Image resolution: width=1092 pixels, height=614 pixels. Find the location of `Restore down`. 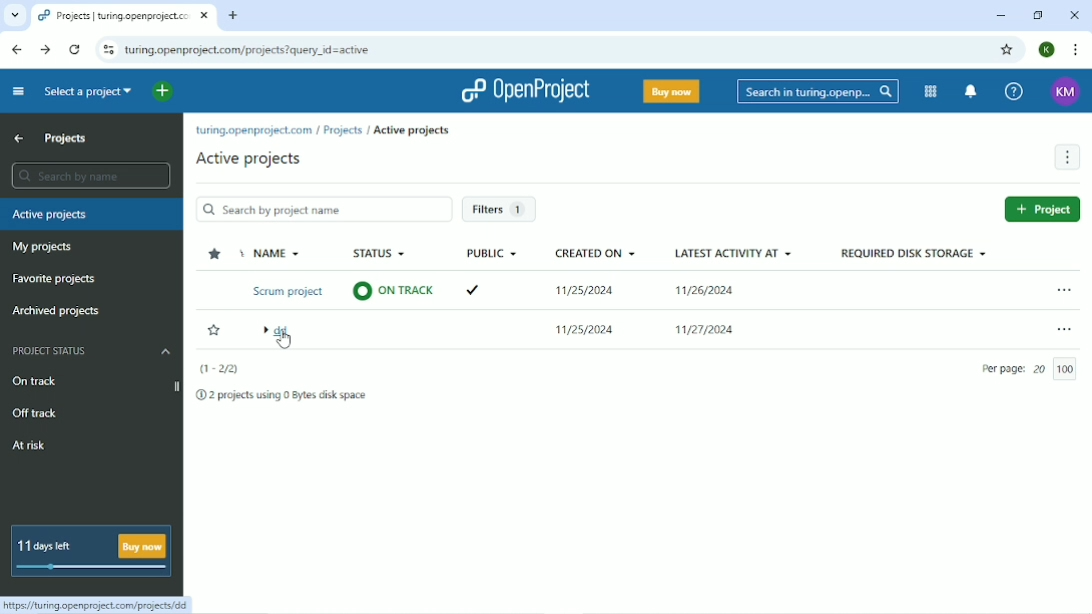

Restore down is located at coordinates (1037, 15).